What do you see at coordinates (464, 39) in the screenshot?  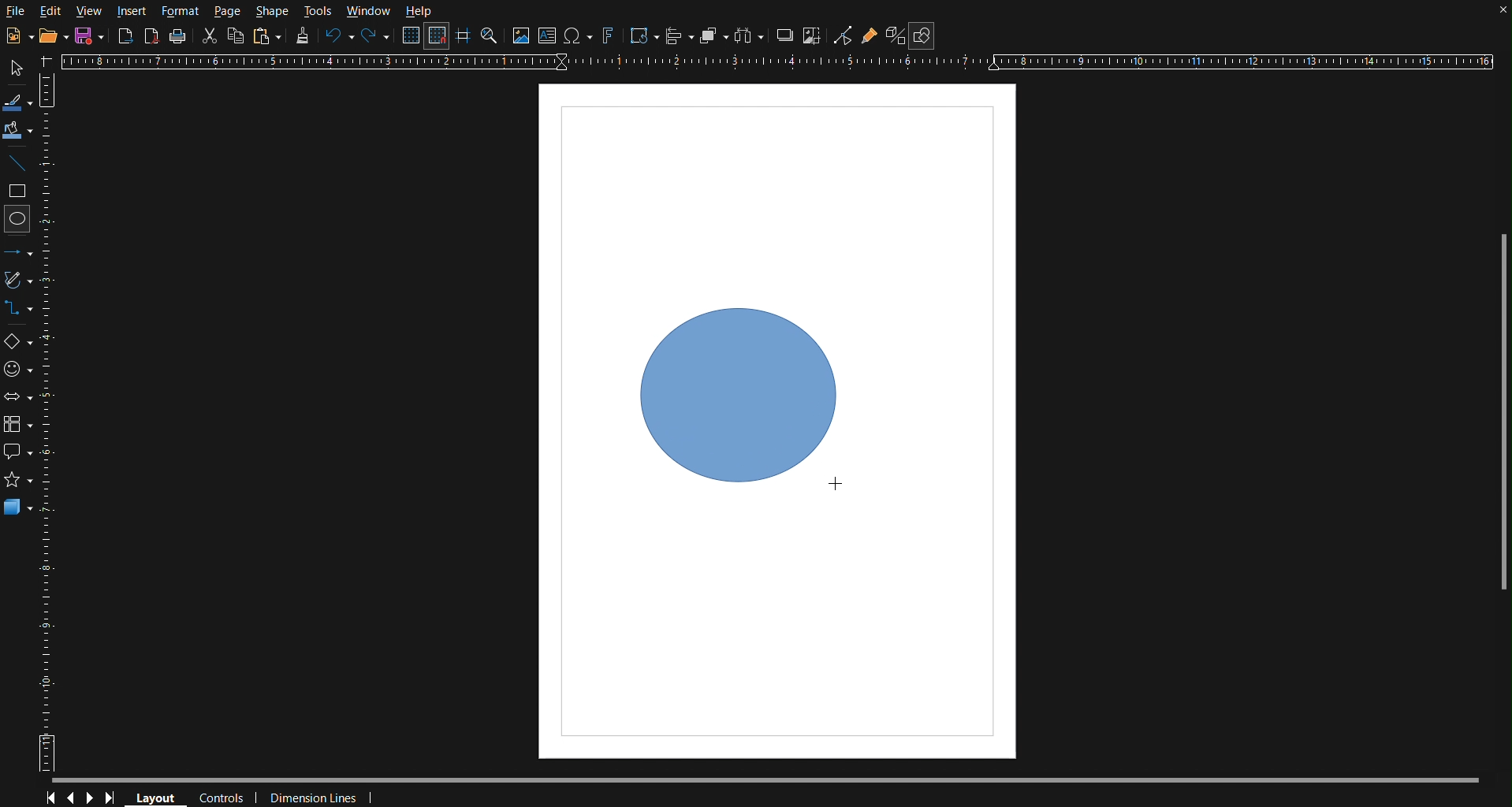 I see `Guidelines while moving` at bounding box center [464, 39].